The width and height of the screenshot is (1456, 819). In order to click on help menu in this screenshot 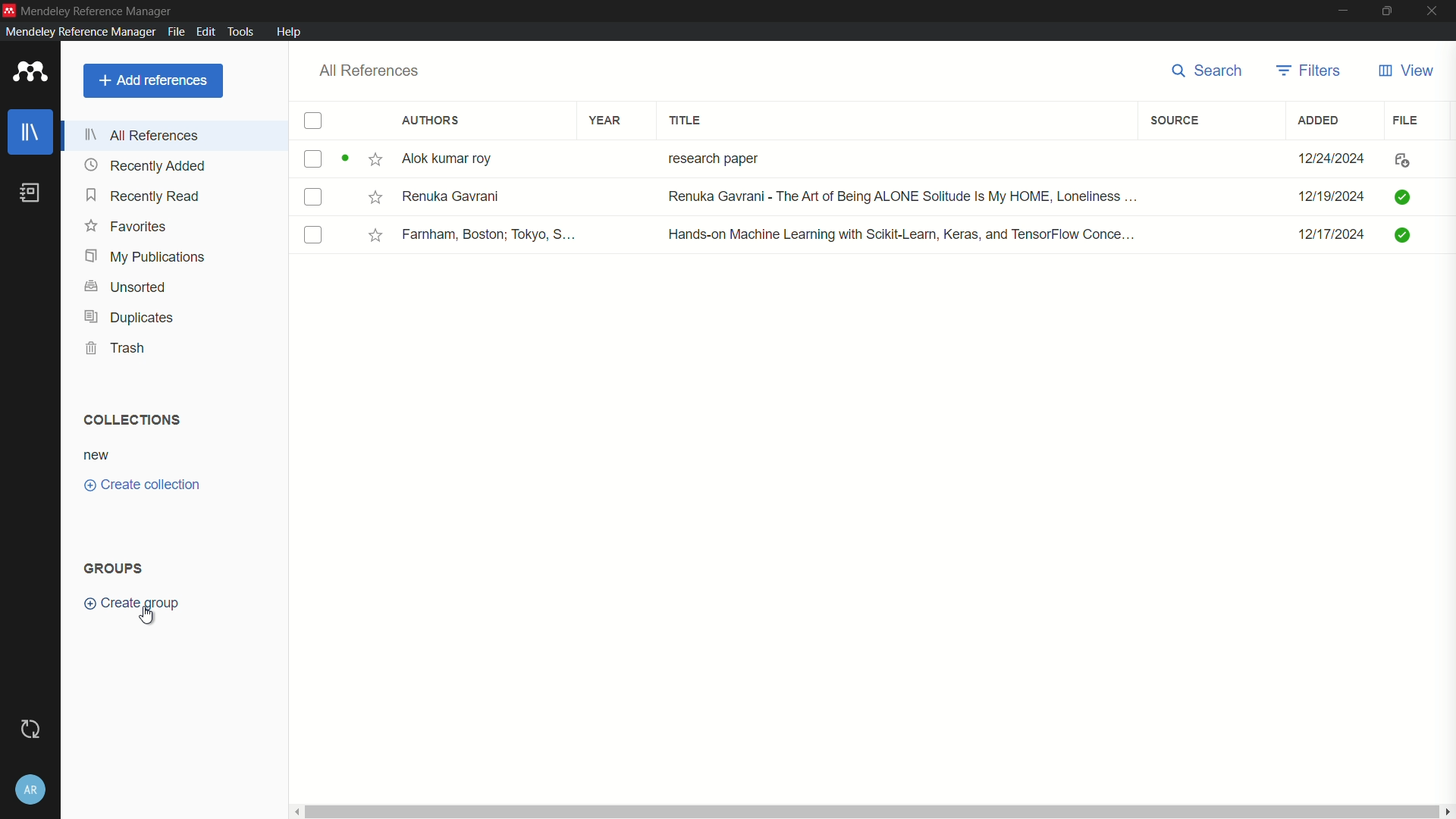, I will do `click(290, 32)`.